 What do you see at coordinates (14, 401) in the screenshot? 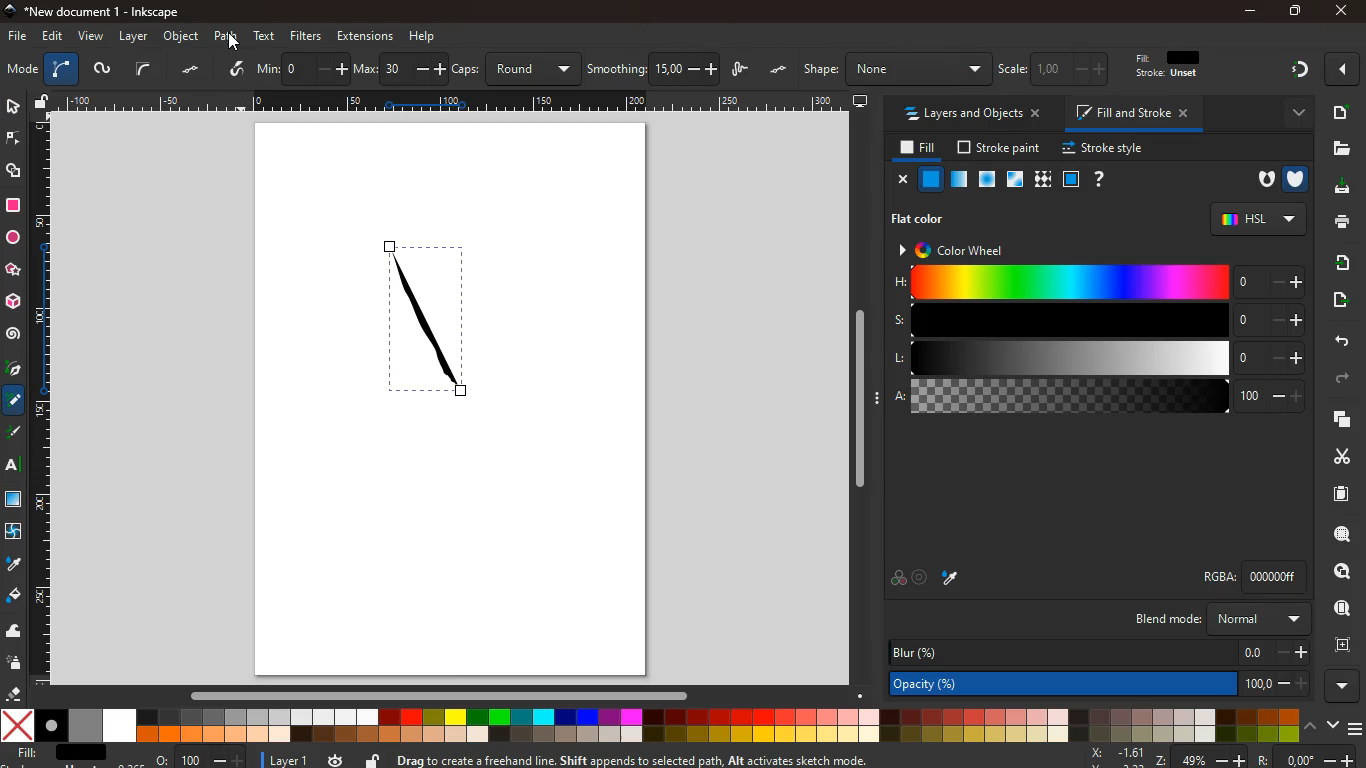
I see `coloring` at bounding box center [14, 401].